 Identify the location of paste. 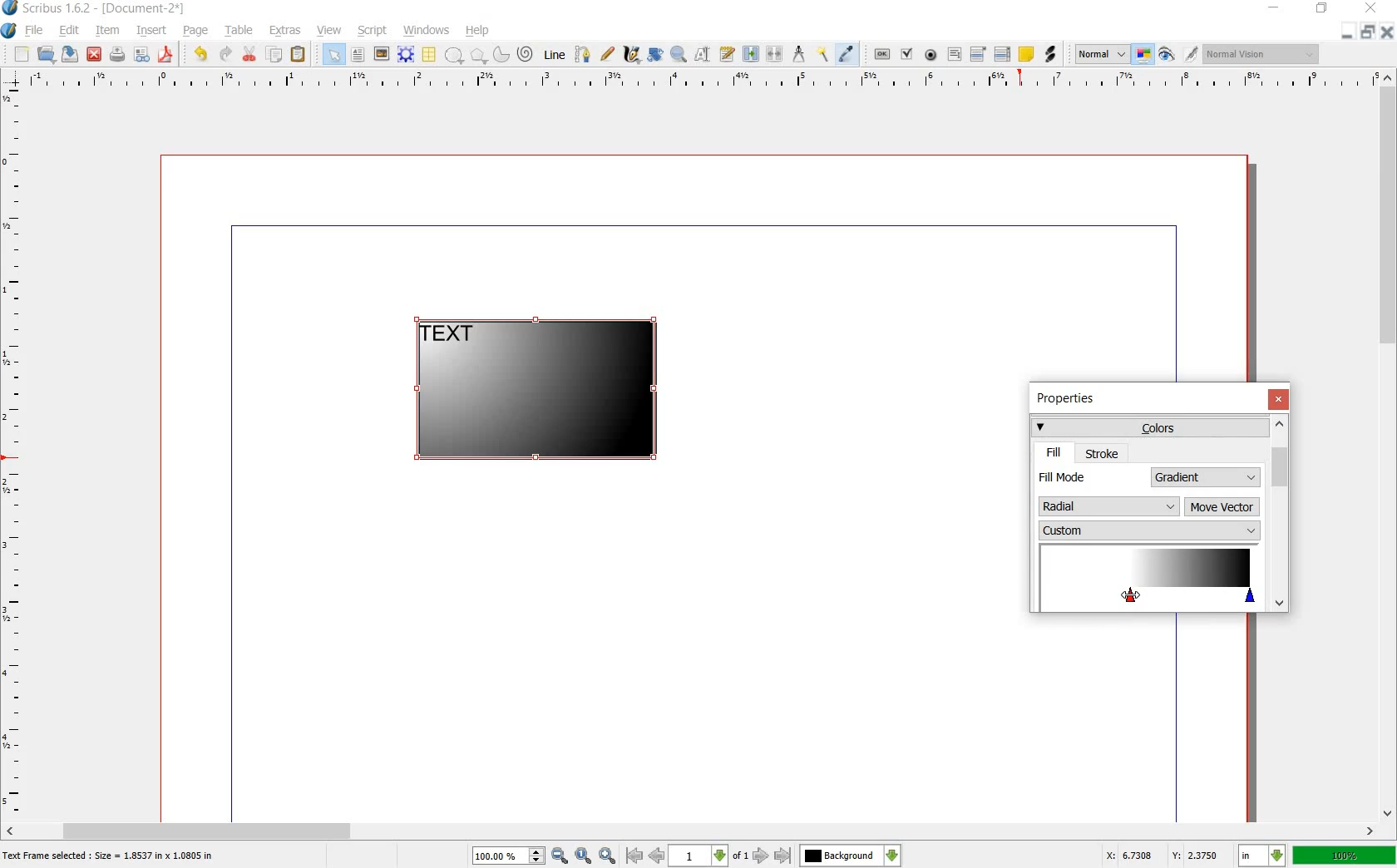
(299, 55).